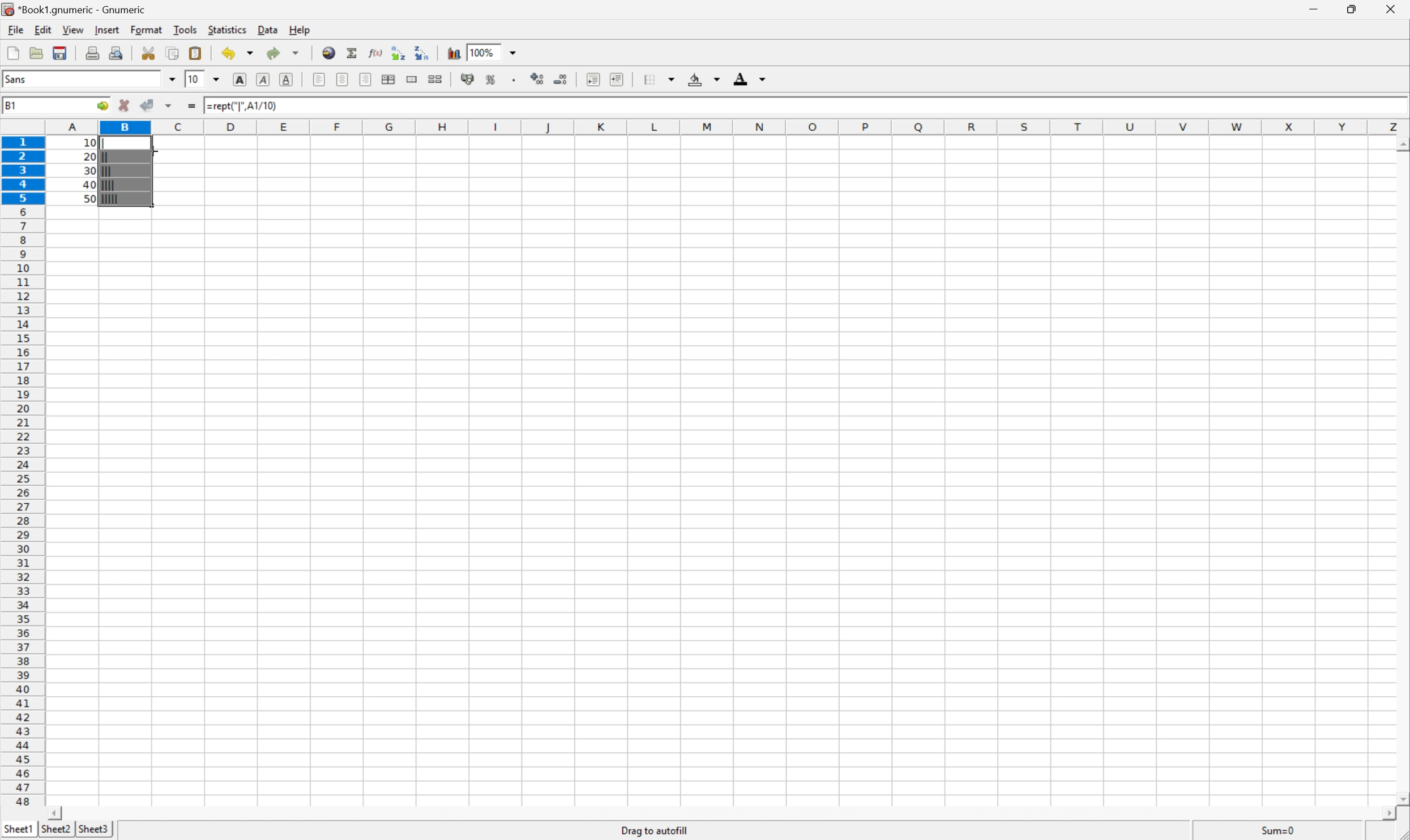 Image resolution: width=1410 pixels, height=840 pixels. Describe the element at coordinates (115, 142) in the screenshot. I see `Cursor` at that location.